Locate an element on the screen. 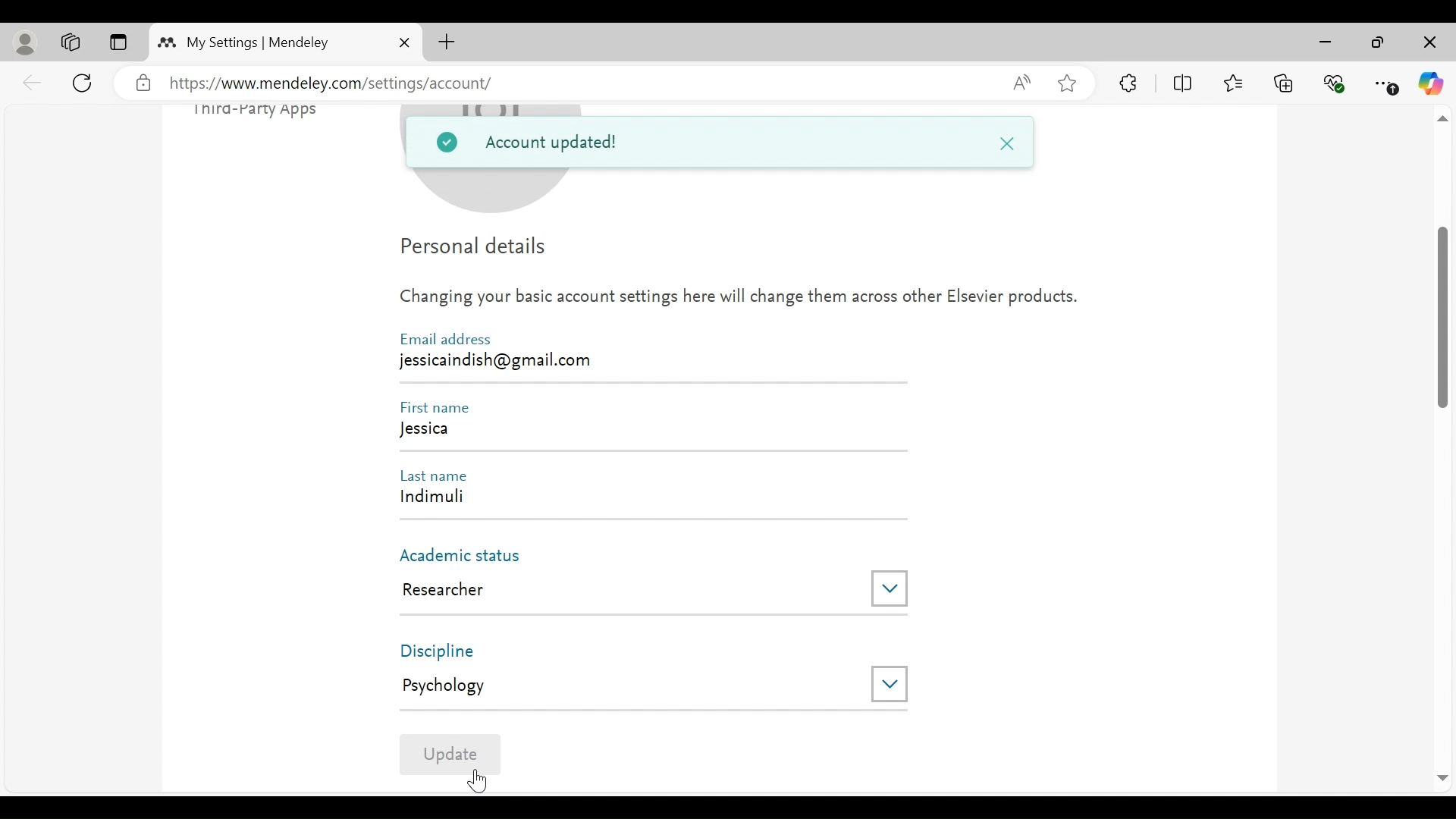 The image size is (1456, 819). personal is located at coordinates (27, 43).